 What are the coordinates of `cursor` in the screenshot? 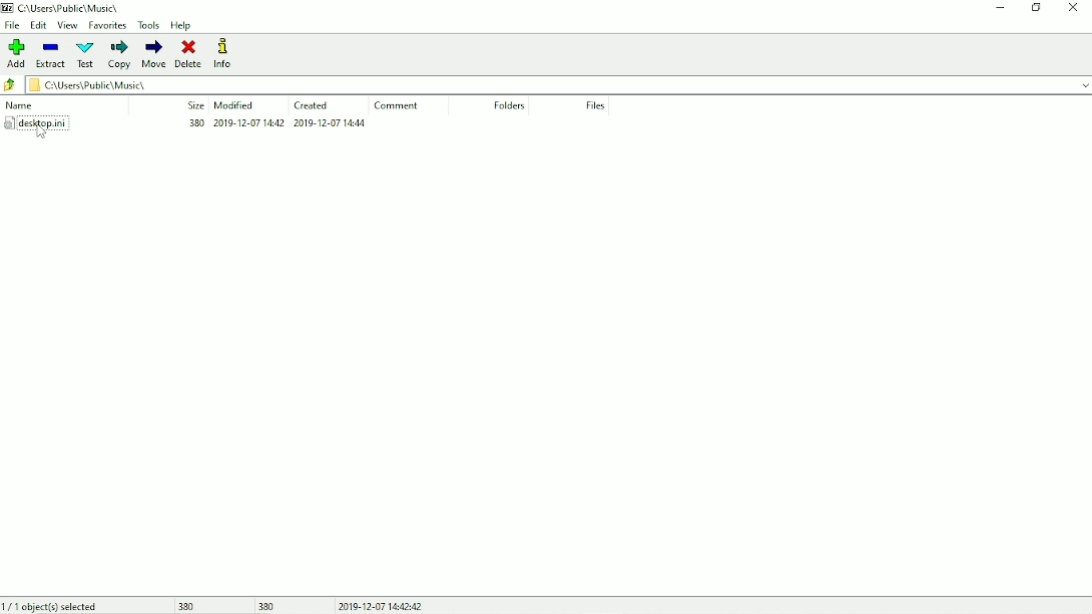 It's located at (41, 133).